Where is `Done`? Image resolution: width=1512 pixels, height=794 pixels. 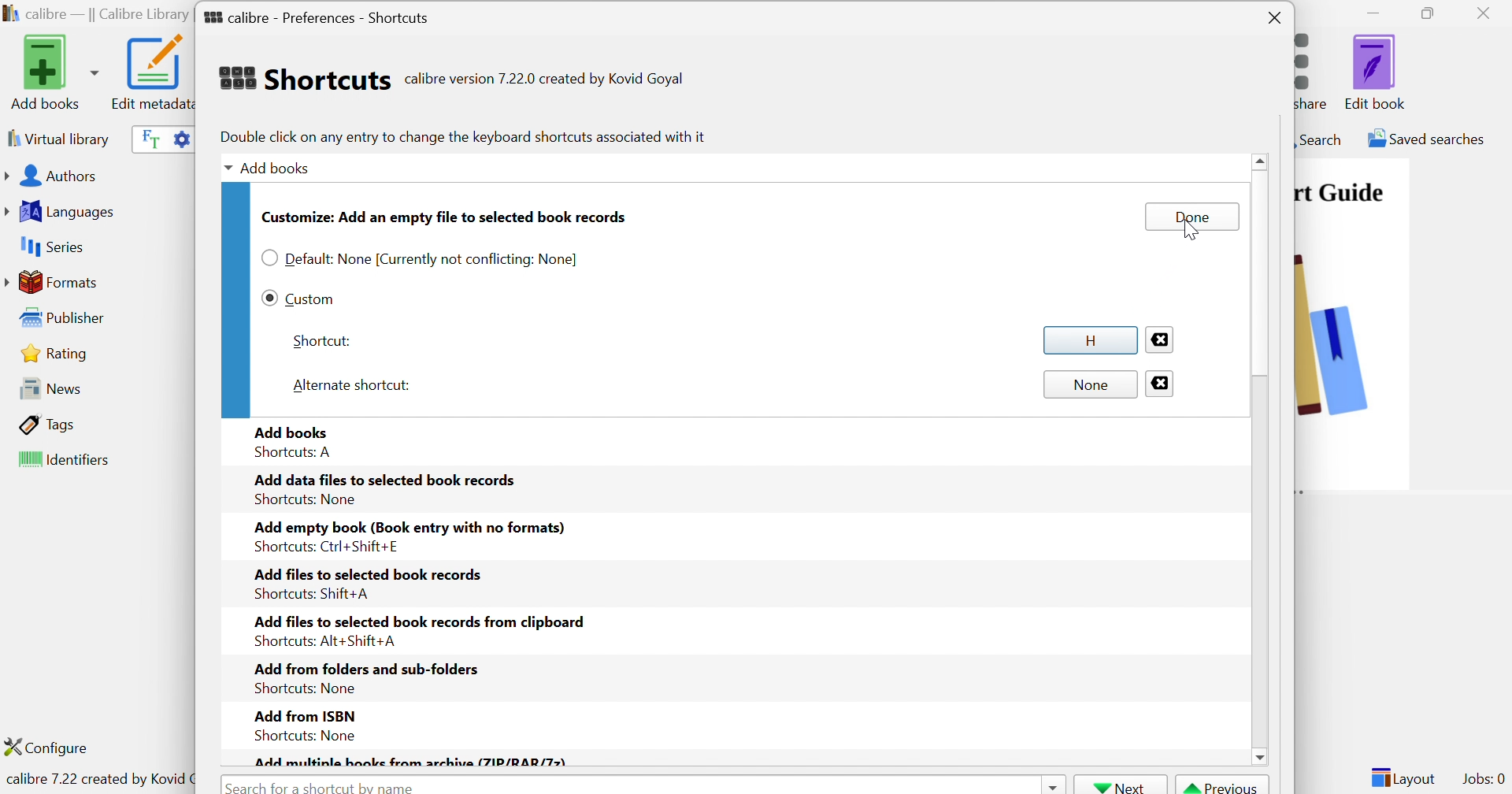
Done is located at coordinates (1191, 217).